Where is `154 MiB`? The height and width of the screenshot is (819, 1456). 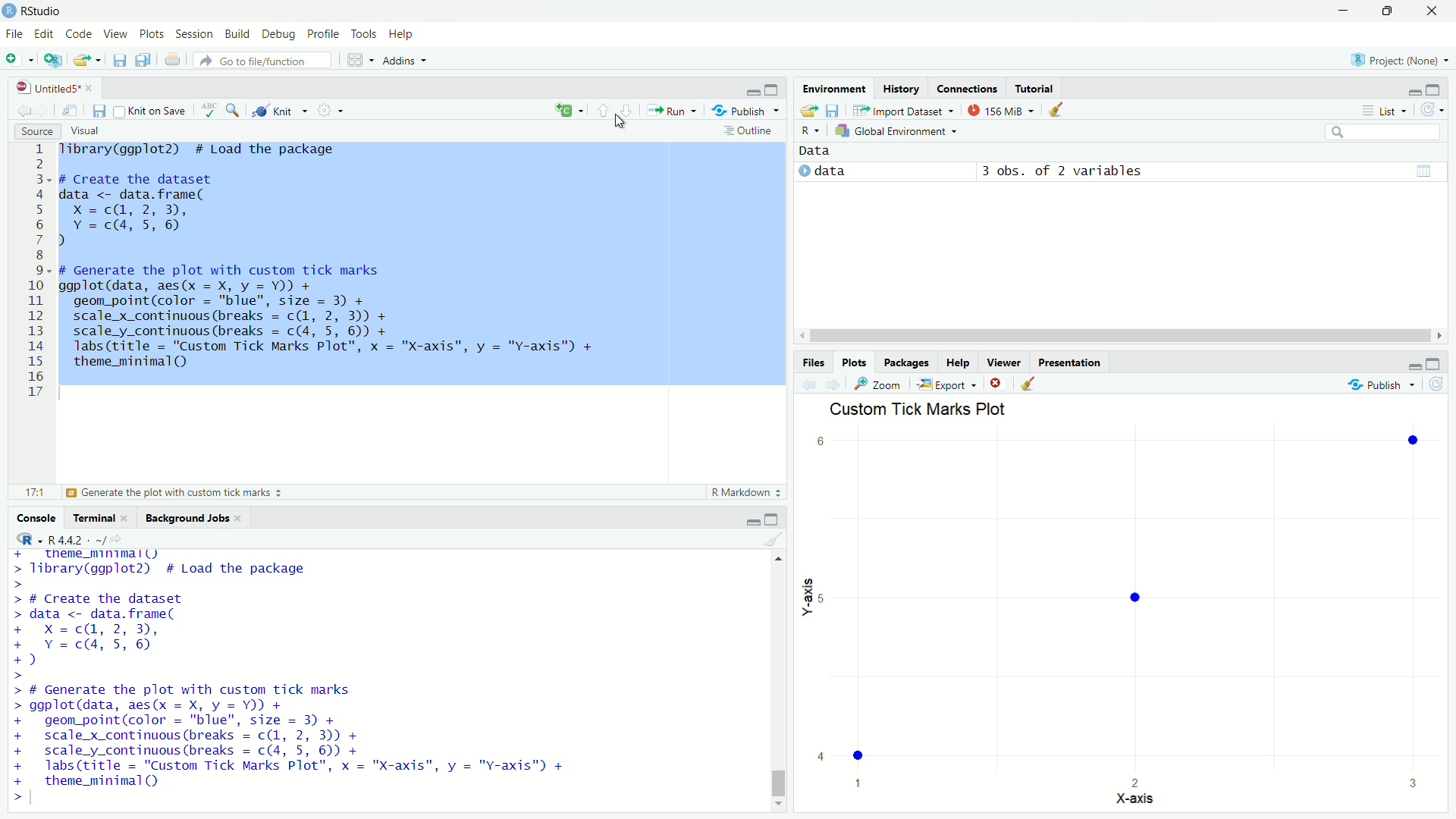
154 MiB is located at coordinates (1003, 109).